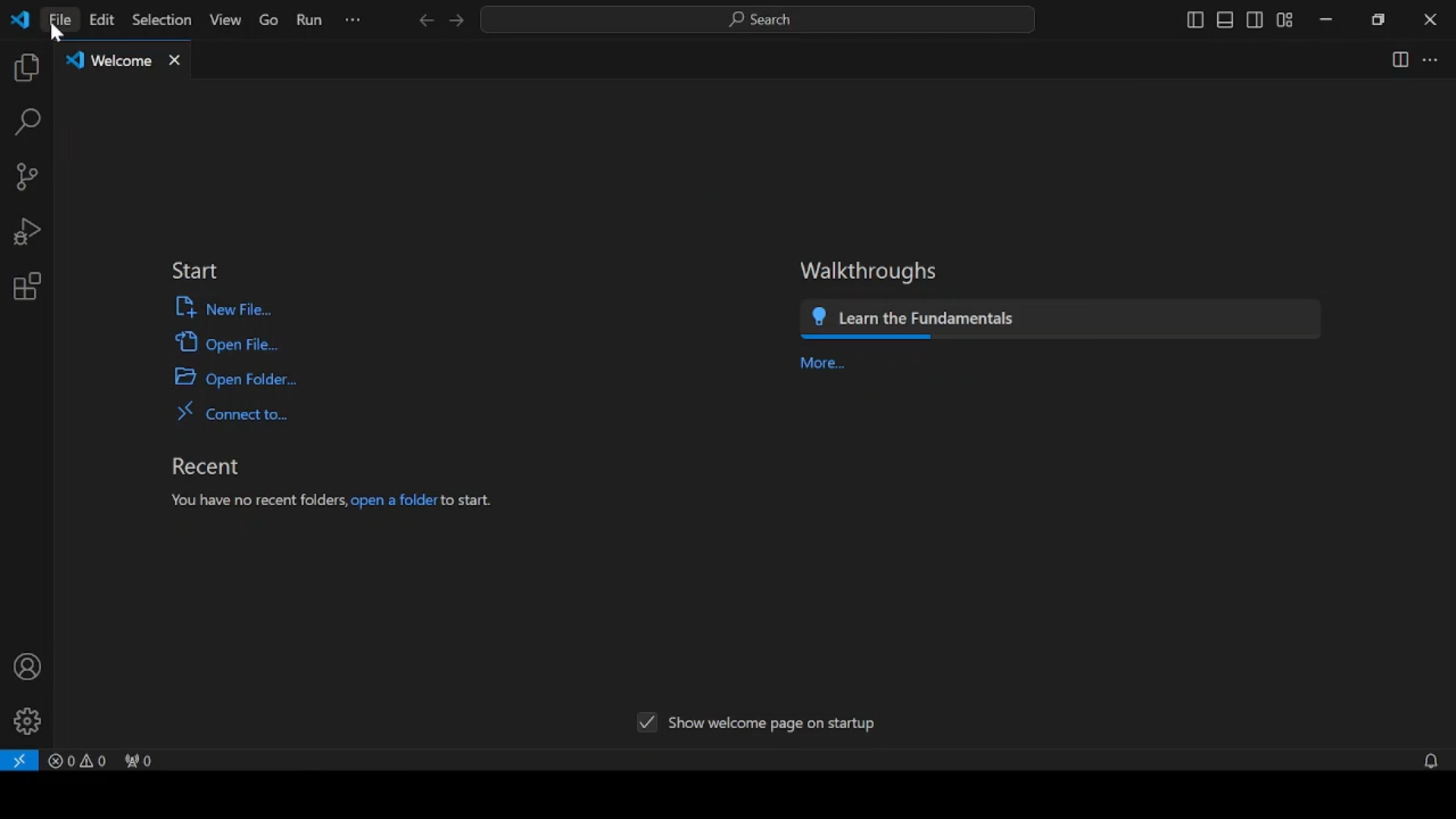  Describe the element at coordinates (224, 20) in the screenshot. I see `view` at that location.